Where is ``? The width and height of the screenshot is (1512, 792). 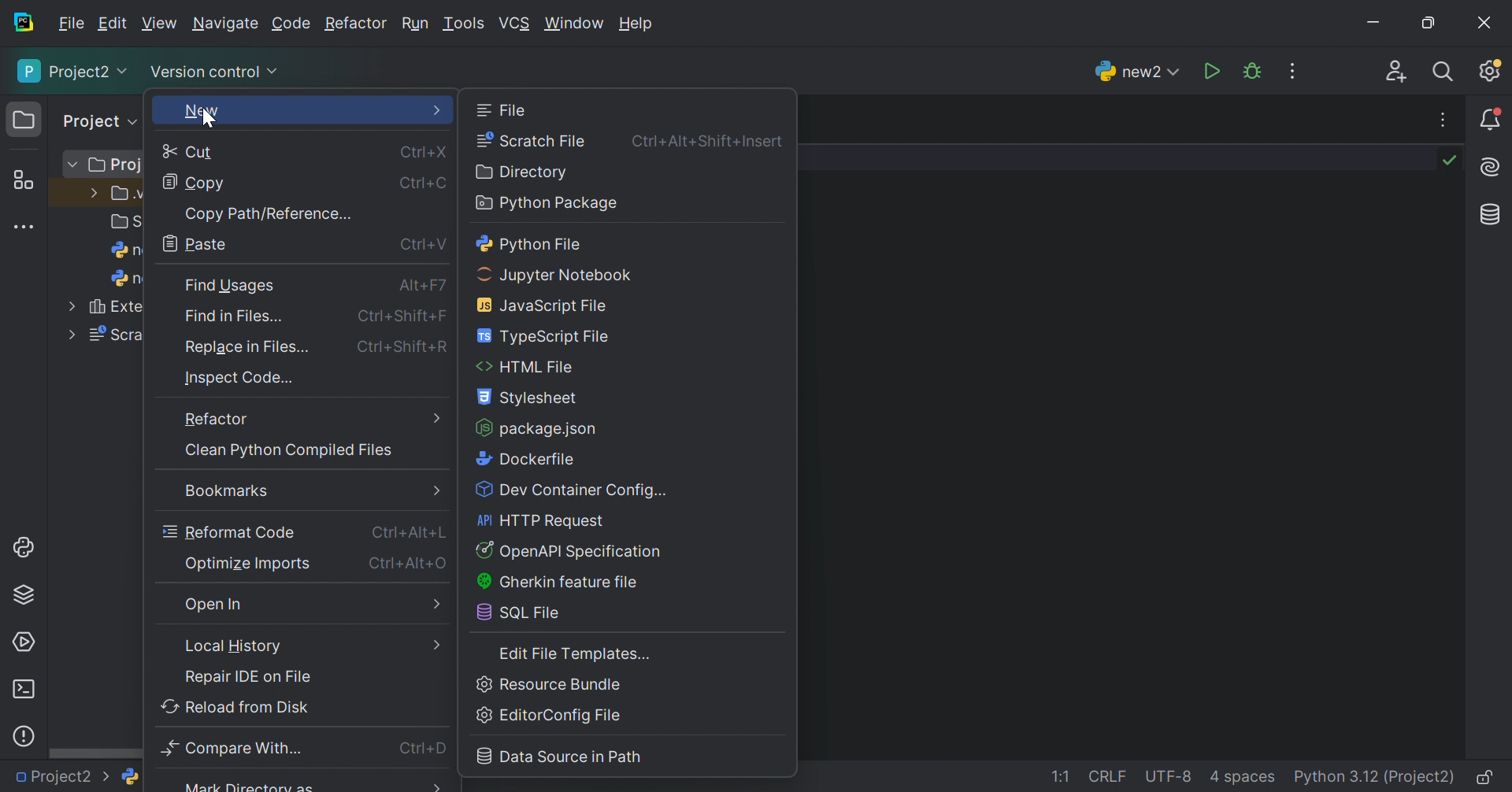
 is located at coordinates (529, 459).